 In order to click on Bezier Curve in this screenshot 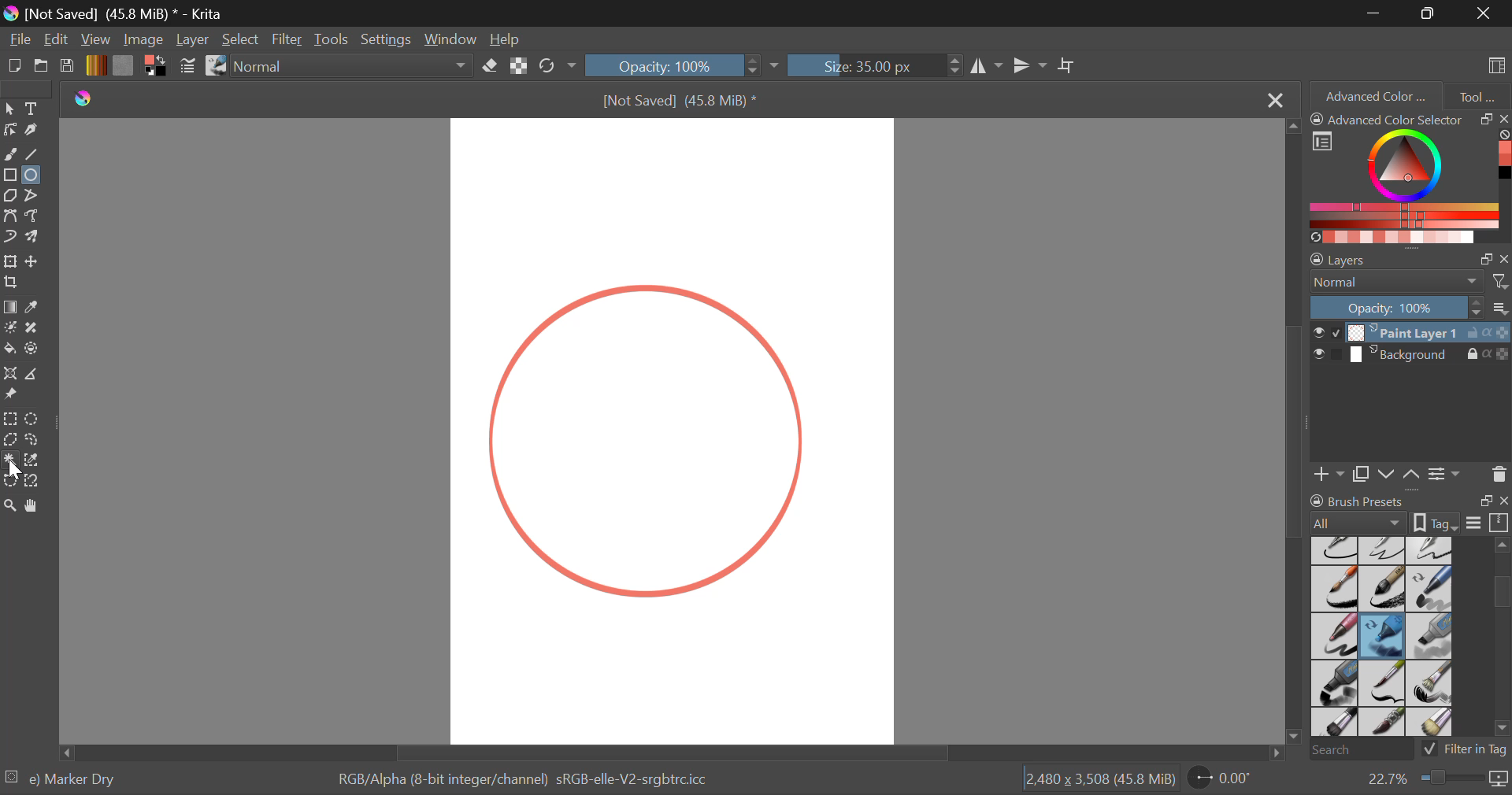, I will do `click(13, 218)`.